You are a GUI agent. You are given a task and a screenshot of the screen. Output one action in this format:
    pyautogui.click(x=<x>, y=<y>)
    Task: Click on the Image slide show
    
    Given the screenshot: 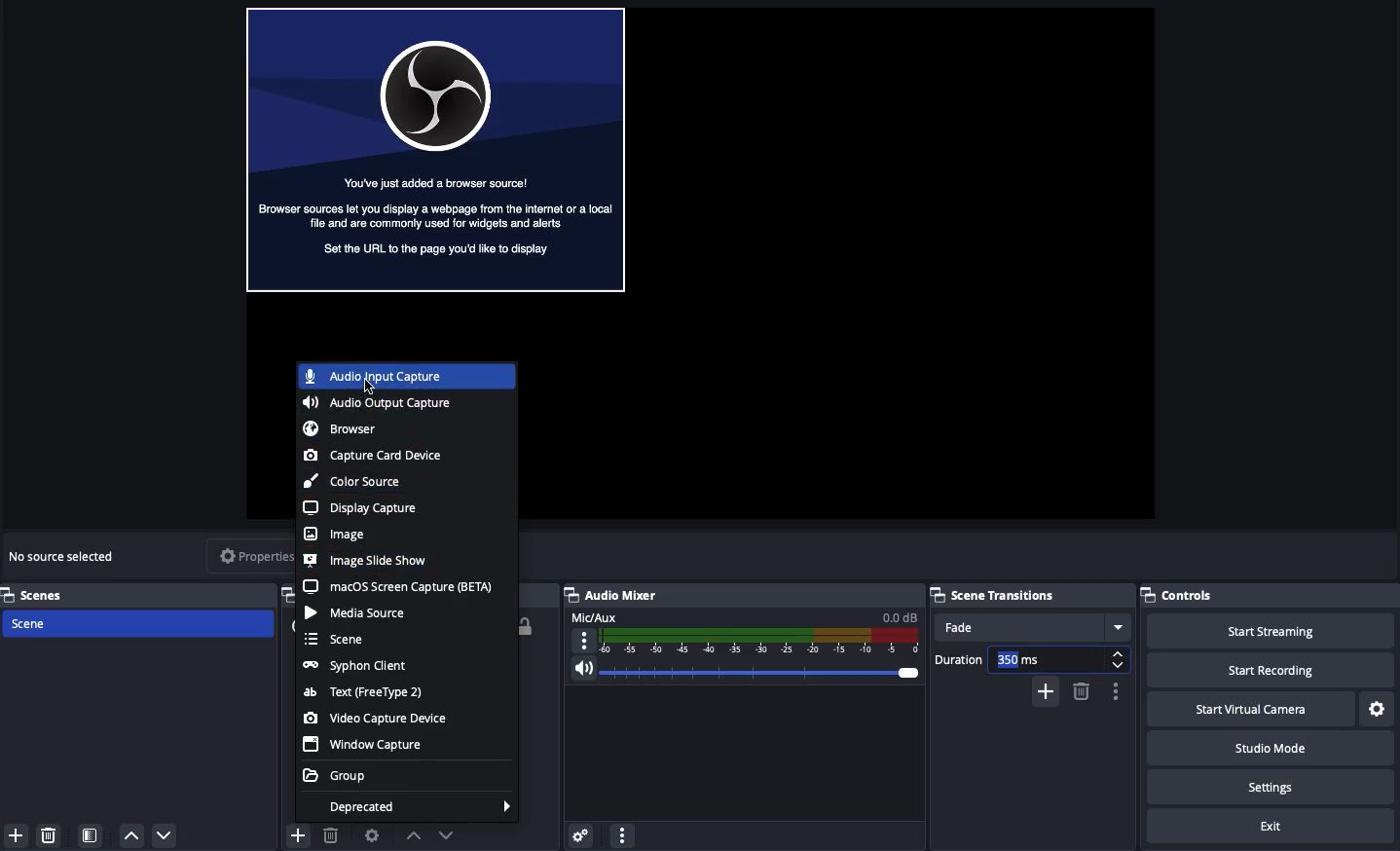 What is the action you would take?
    pyautogui.click(x=367, y=562)
    